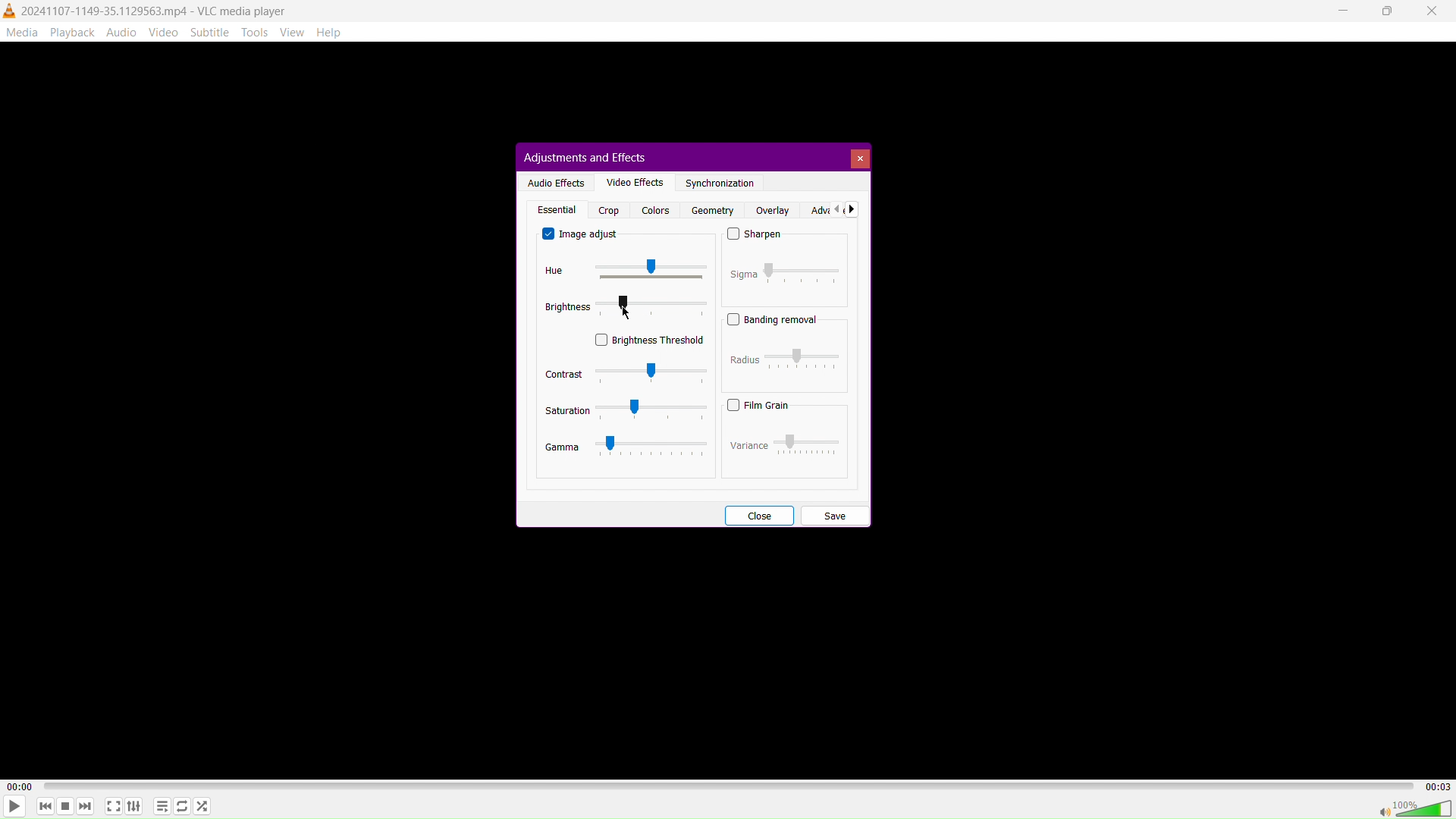 This screenshot has width=1456, height=819. I want to click on Adjustments and Effects, so click(583, 156).